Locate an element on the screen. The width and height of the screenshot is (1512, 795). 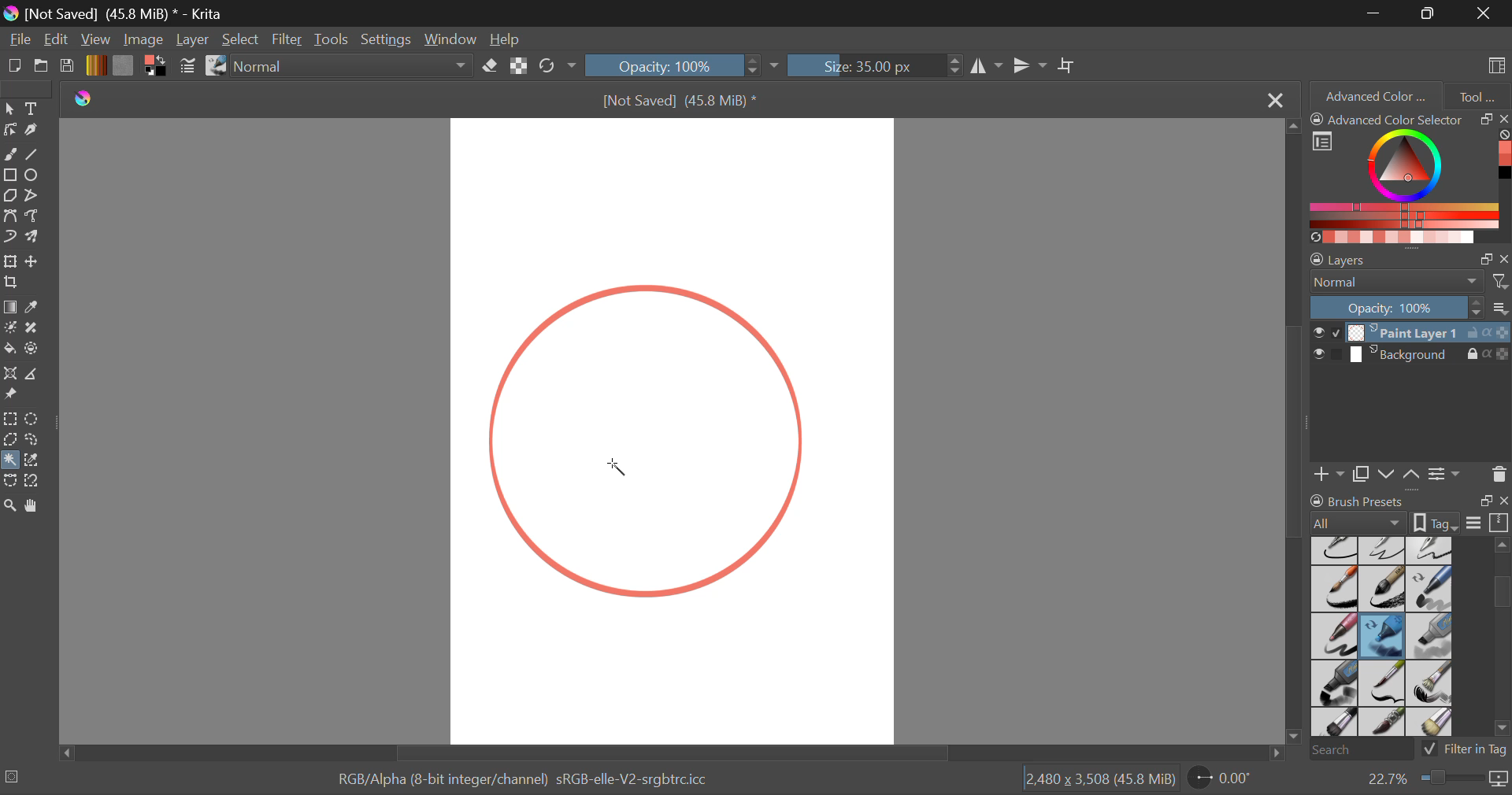
Advanced Color Selector is located at coordinates (1410, 177).